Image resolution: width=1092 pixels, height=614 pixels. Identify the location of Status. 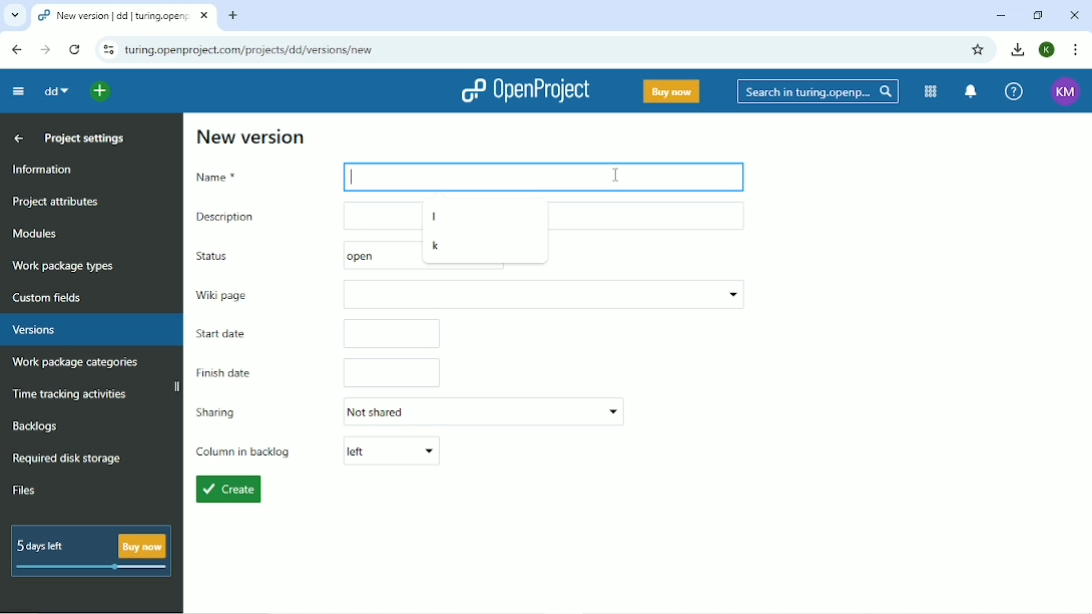
(227, 256).